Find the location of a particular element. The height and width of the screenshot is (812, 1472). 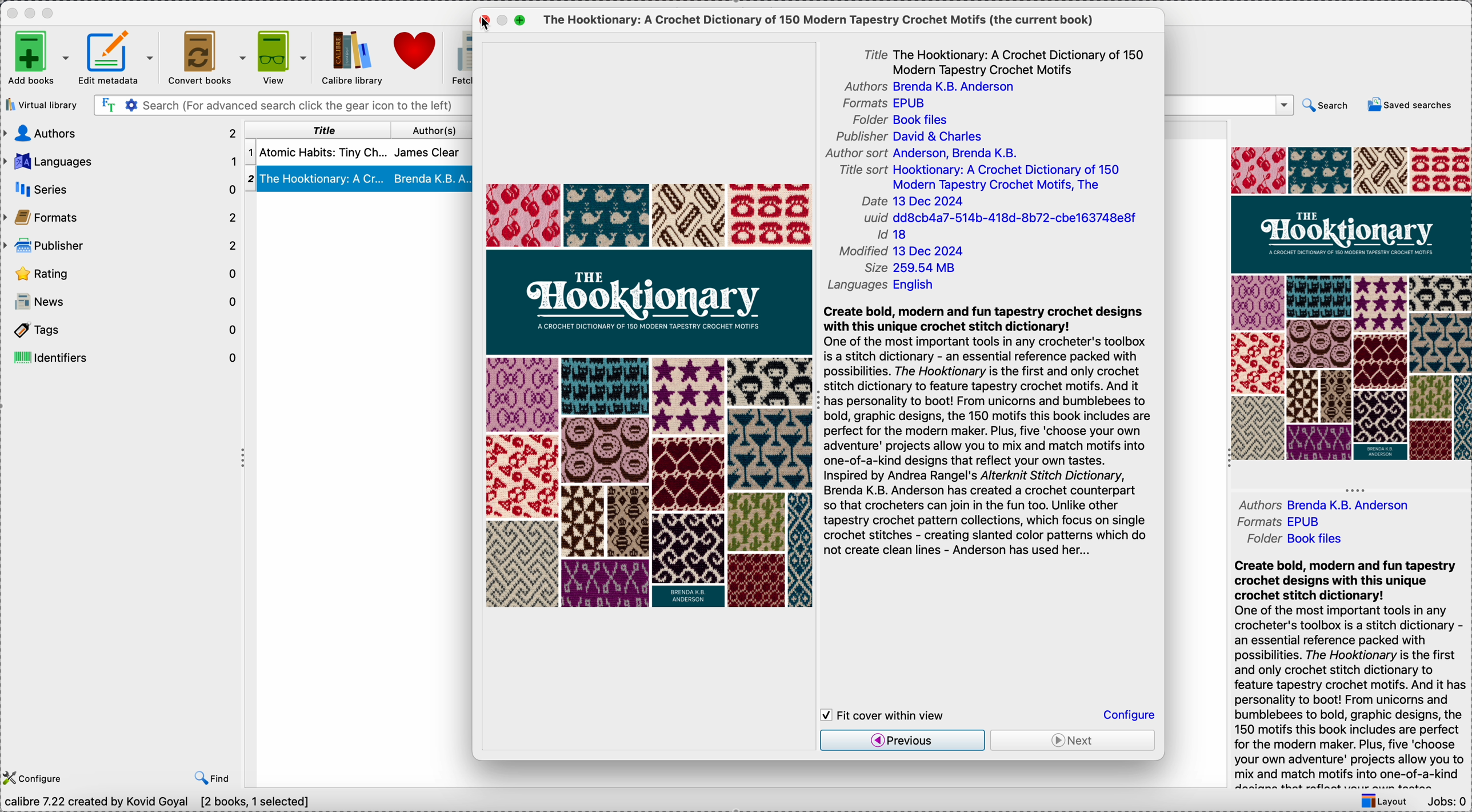

authors is located at coordinates (122, 134).